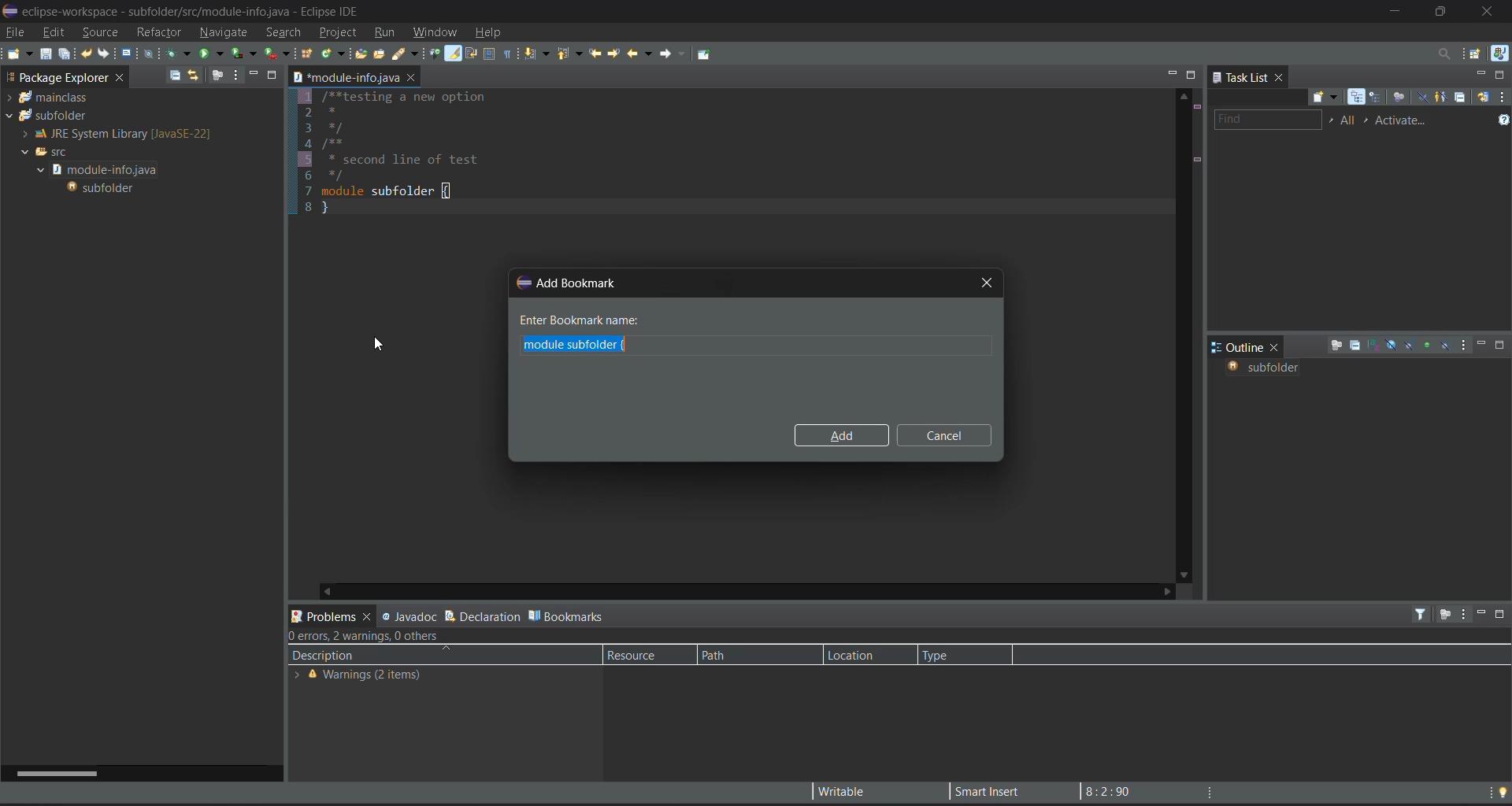  Describe the element at coordinates (1327, 98) in the screenshot. I see `new task` at that location.